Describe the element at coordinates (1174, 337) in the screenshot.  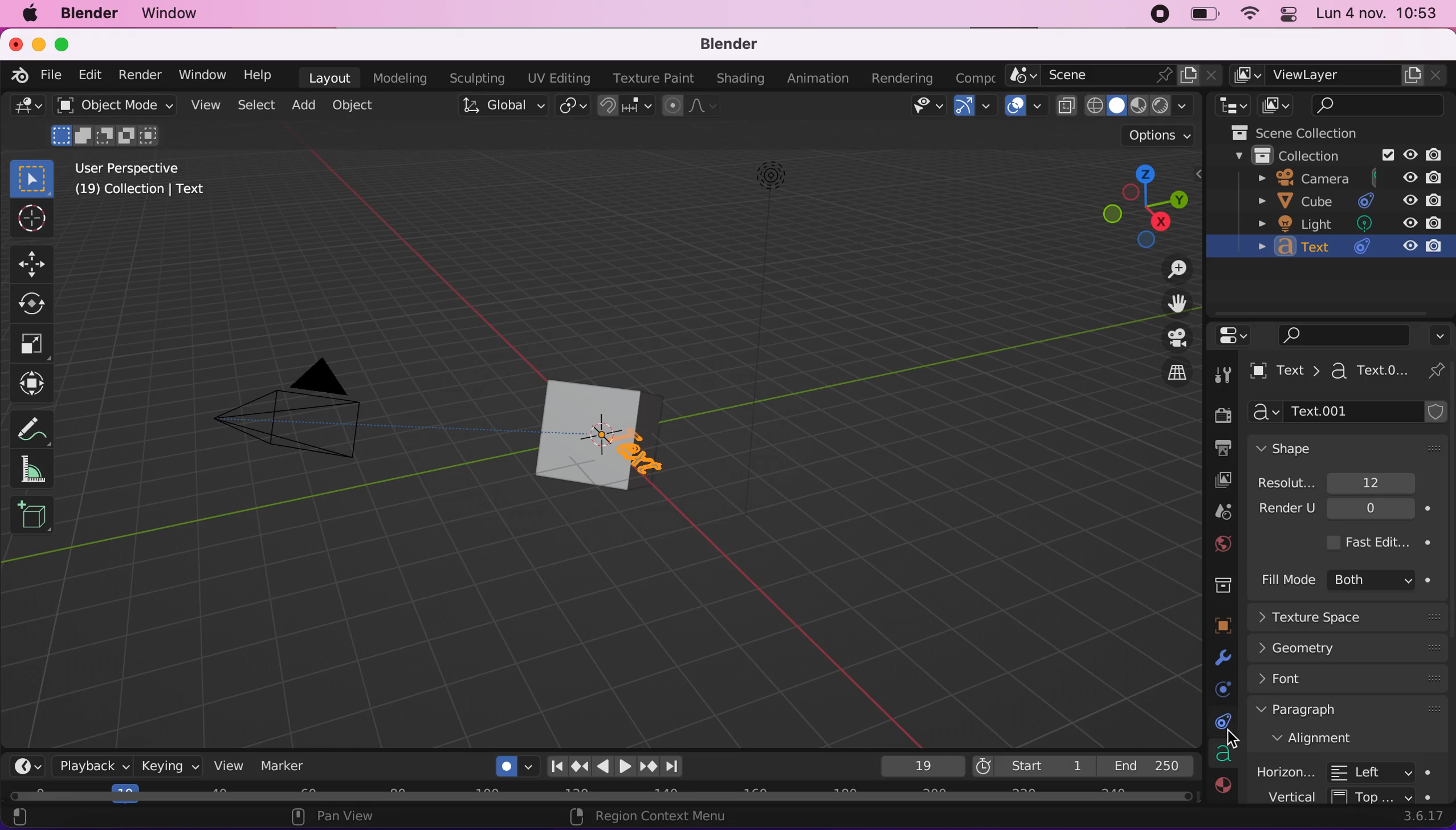
I see `toggle the camera view` at that location.